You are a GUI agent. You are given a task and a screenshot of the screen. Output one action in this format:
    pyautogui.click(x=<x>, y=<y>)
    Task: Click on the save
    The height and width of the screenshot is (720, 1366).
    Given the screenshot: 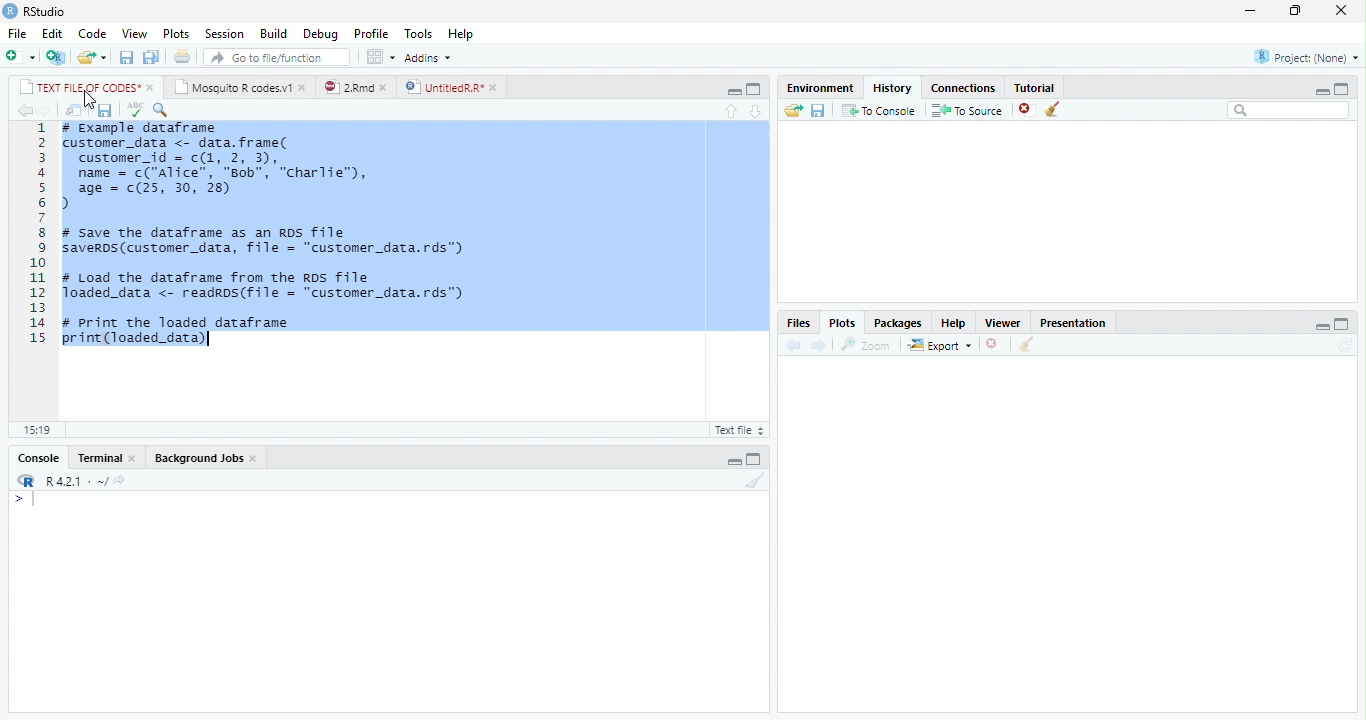 What is the action you would take?
    pyautogui.click(x=104, y=111)
    